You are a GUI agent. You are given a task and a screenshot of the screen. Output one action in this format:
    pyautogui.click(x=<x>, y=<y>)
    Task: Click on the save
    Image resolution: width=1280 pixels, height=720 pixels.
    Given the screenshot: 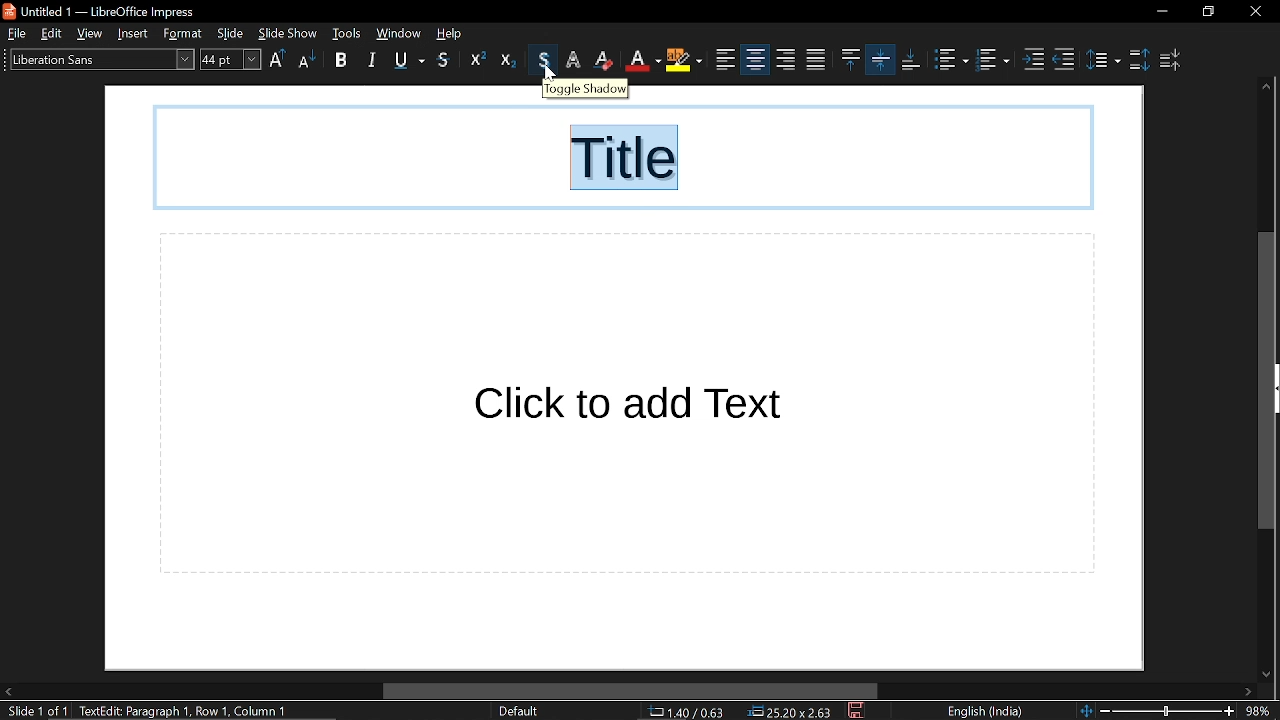 What is the action you would take?
    pyautogui.click(x=858, y=712)
    